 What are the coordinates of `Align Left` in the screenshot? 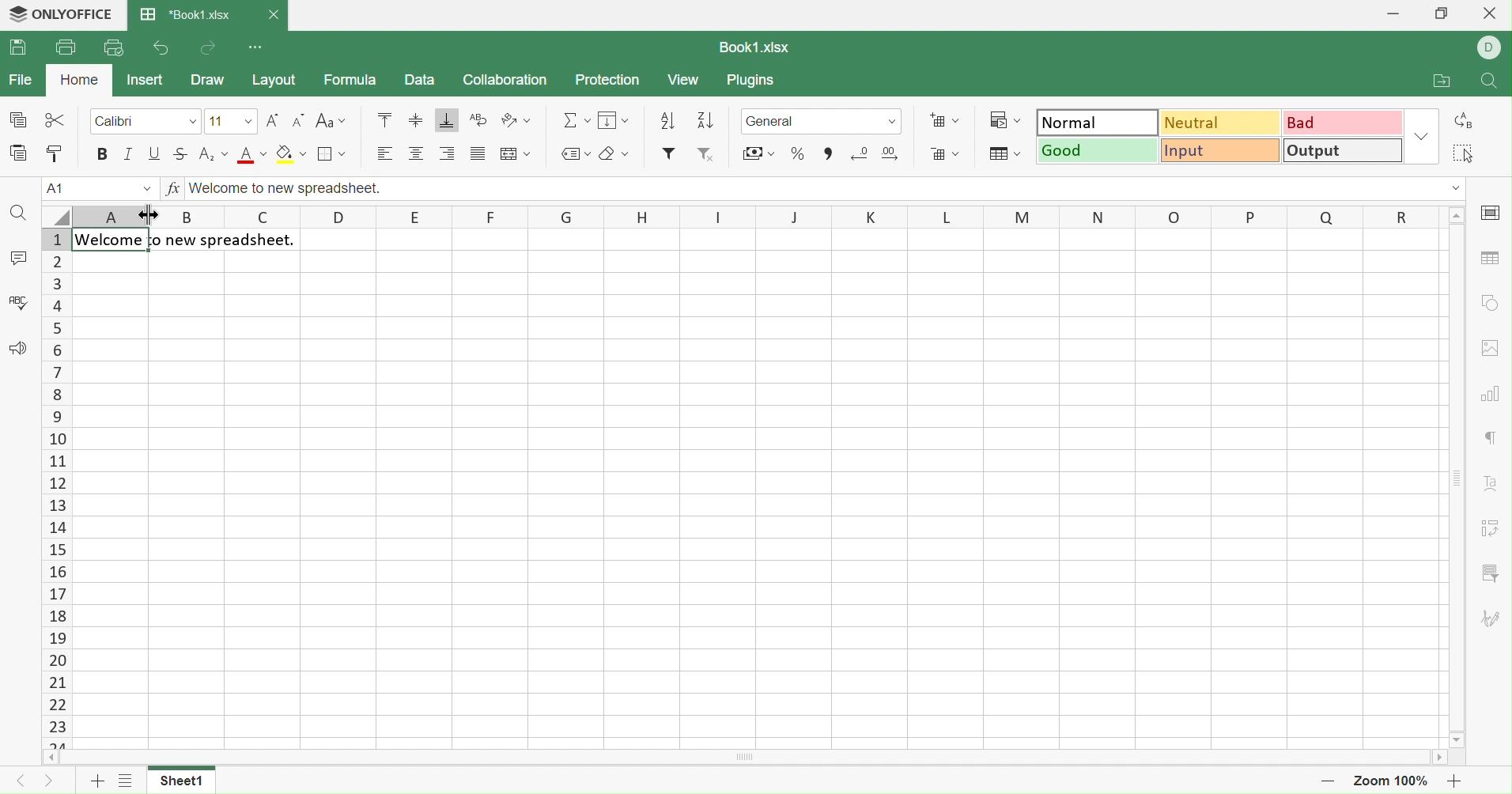 It's located at (385, 153).